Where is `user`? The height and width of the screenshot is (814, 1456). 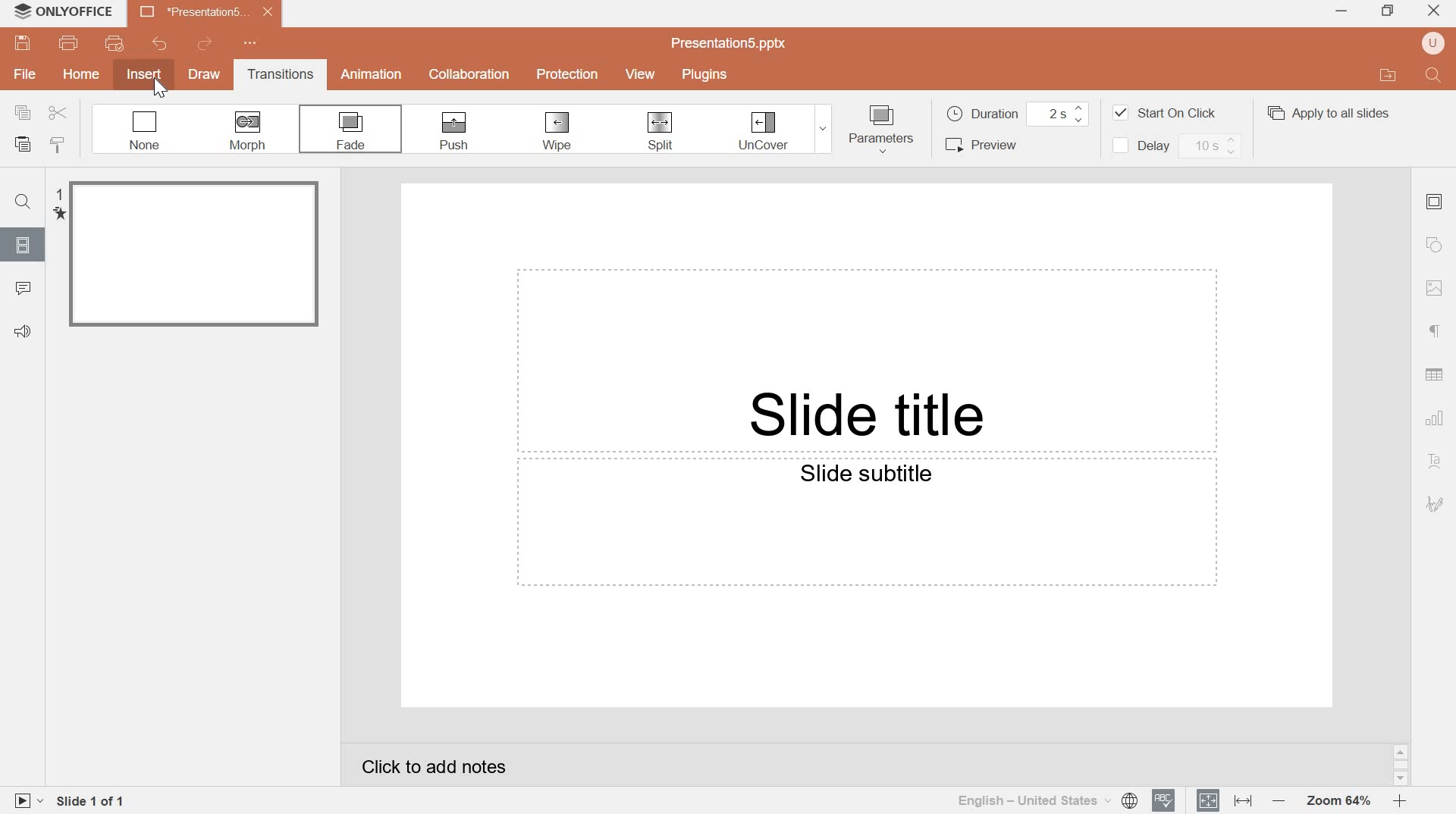
user is located at coordinates (1432, 43).